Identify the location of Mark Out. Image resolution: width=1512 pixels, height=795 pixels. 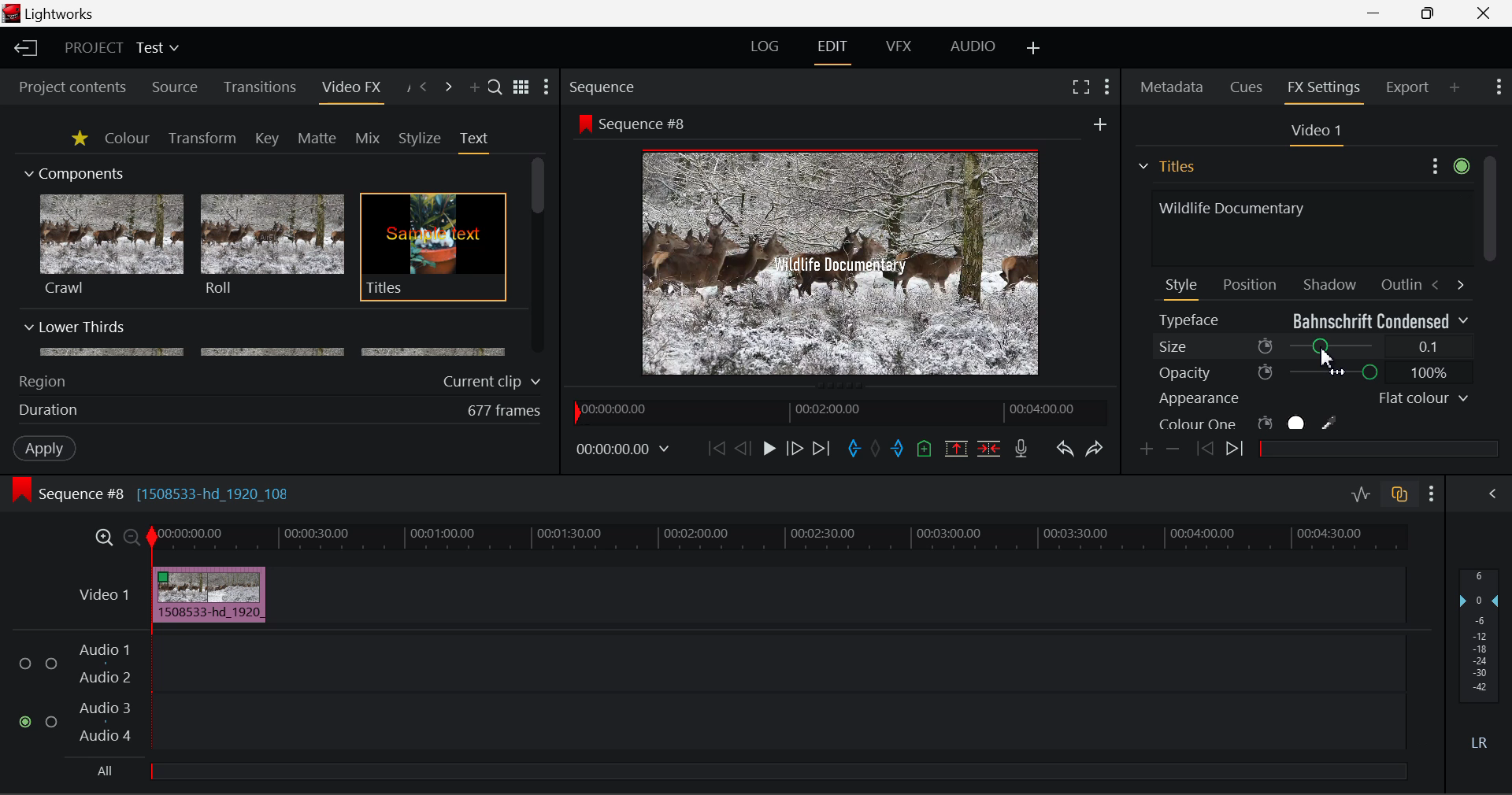
(899, 450).